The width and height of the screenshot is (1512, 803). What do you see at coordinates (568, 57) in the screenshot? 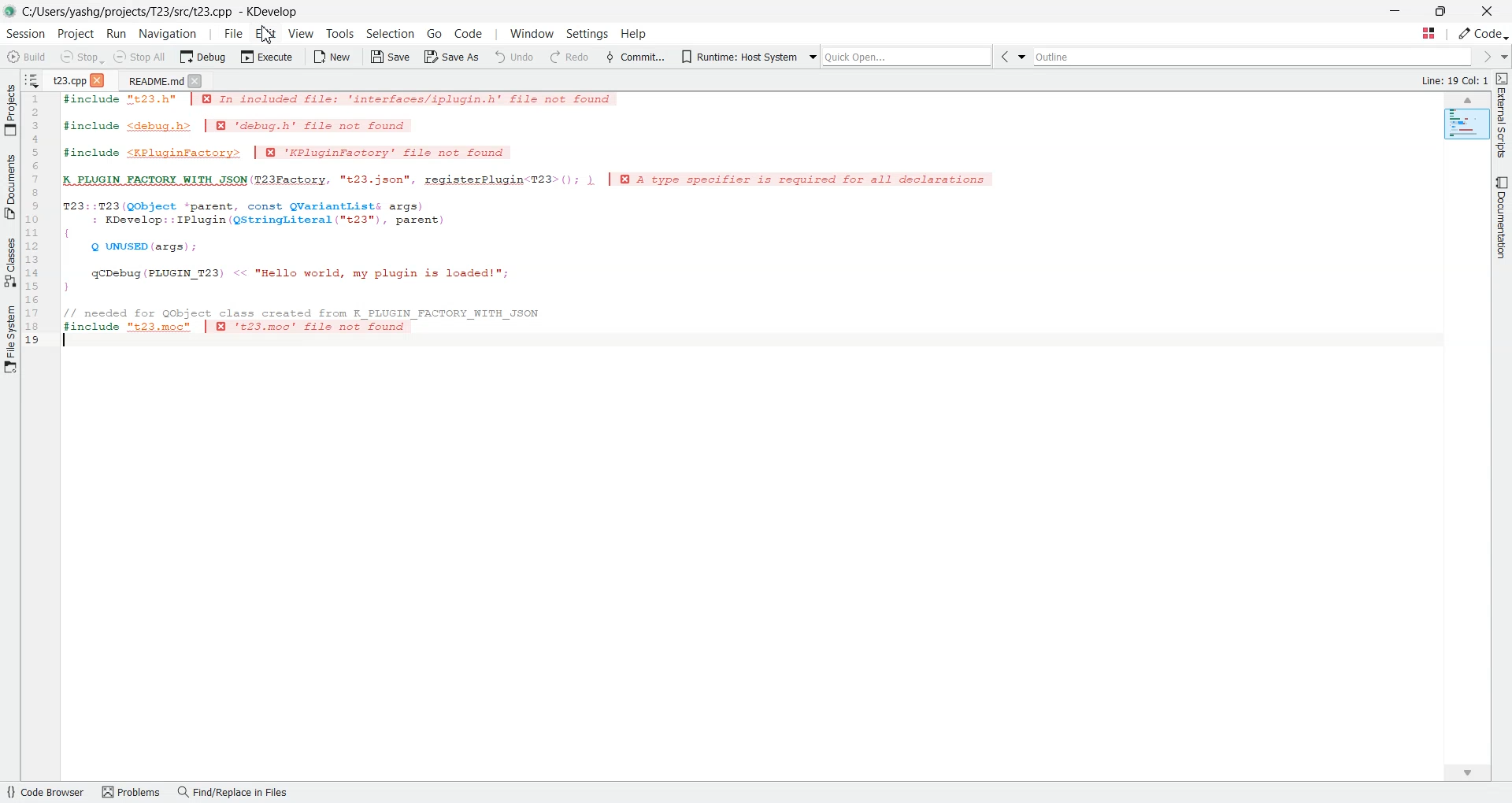
I see `Redo` at bounding box center [568, 57].